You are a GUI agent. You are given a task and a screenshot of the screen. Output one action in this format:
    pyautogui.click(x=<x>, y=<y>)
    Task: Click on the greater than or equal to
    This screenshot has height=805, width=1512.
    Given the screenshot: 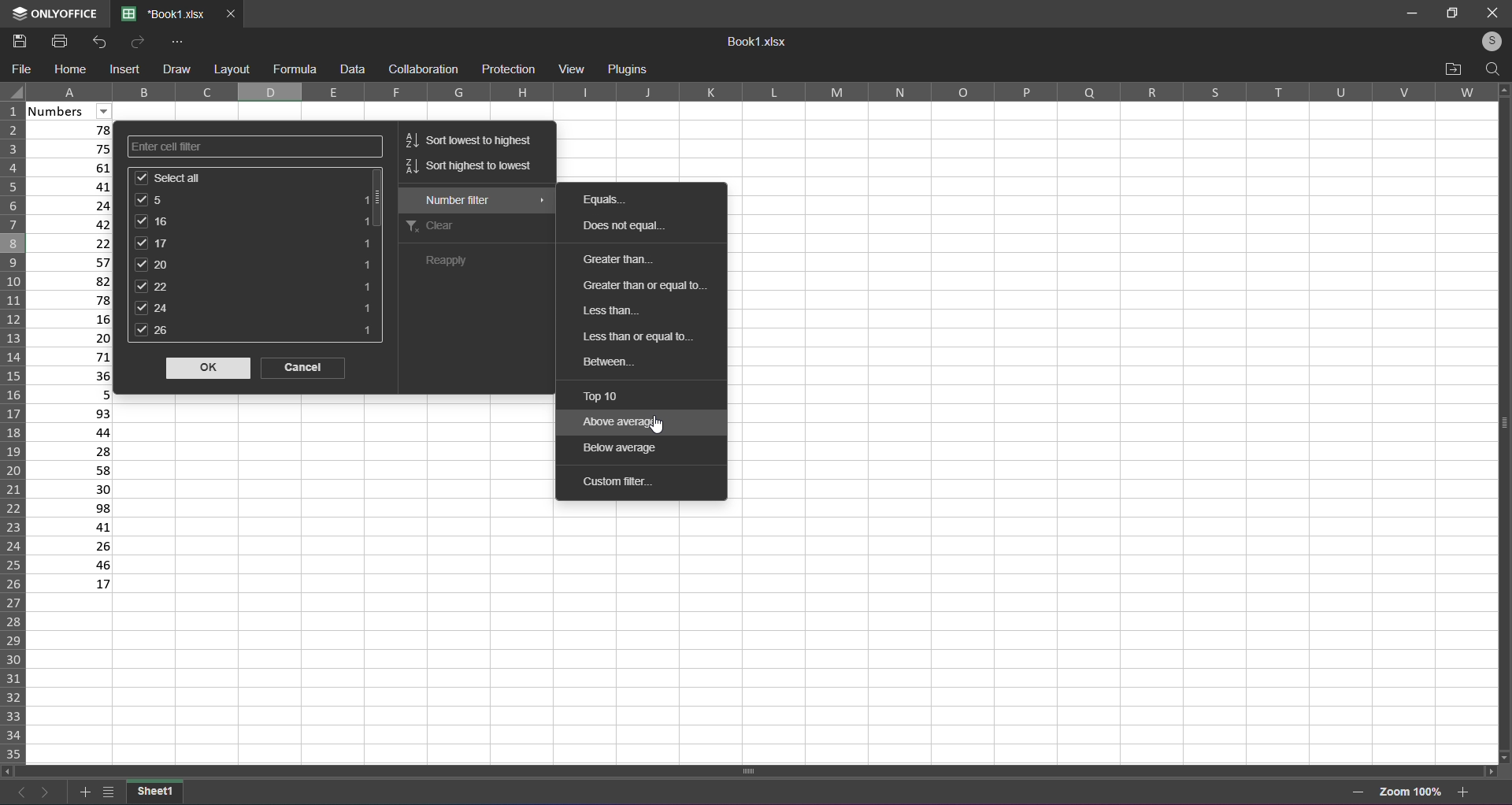 What is the action you would take?
    pyautogui.click(x=642, y=284)
    